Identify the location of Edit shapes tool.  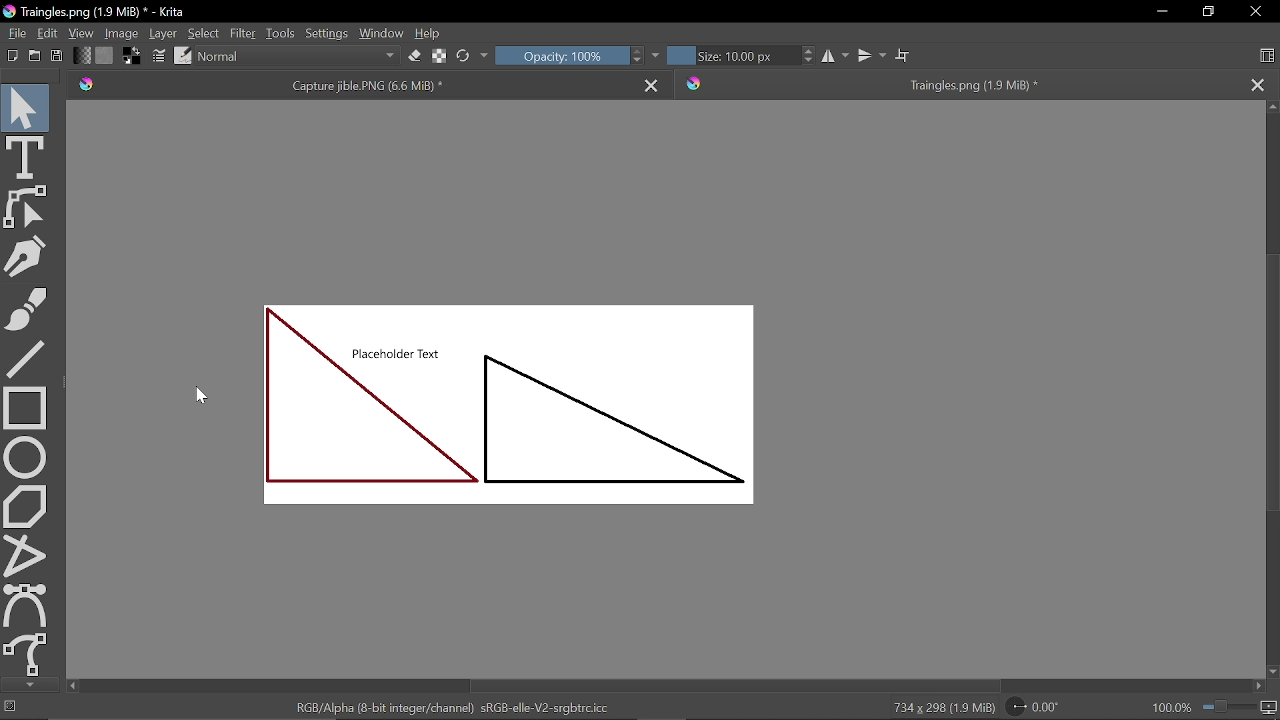
(26, 207).